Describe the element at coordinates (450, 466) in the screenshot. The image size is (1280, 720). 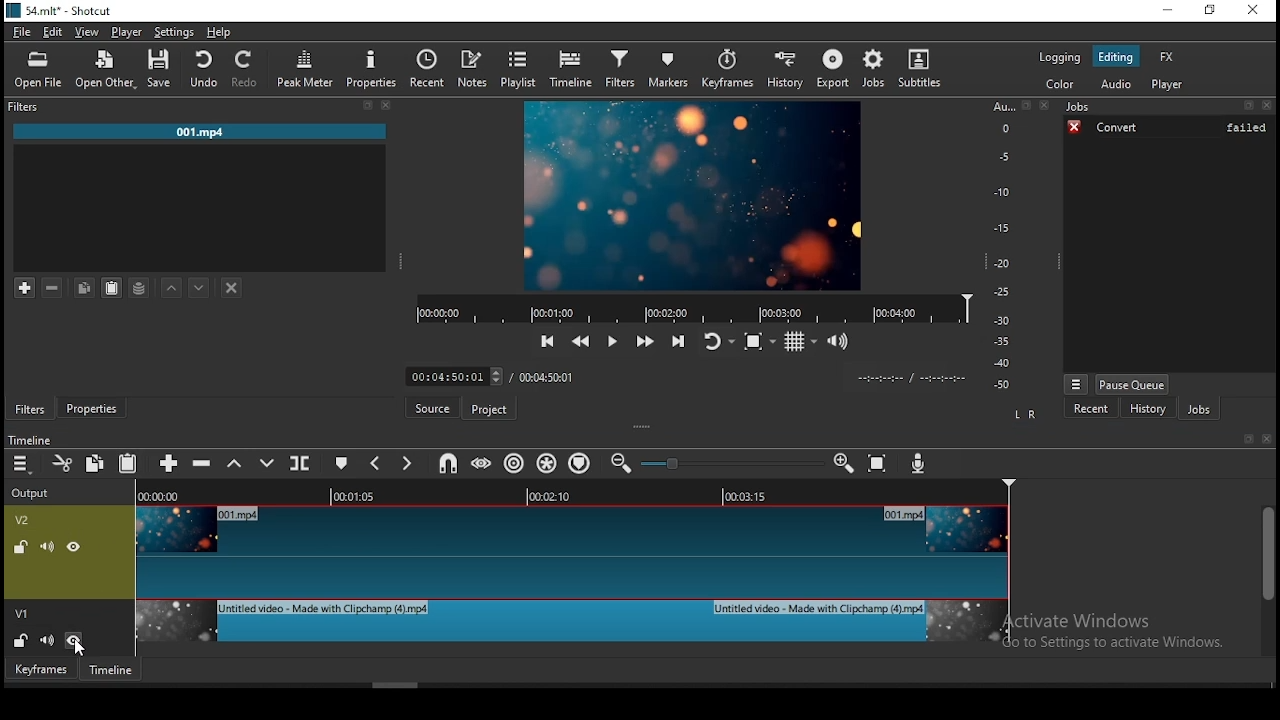
I see `snap` at that location.